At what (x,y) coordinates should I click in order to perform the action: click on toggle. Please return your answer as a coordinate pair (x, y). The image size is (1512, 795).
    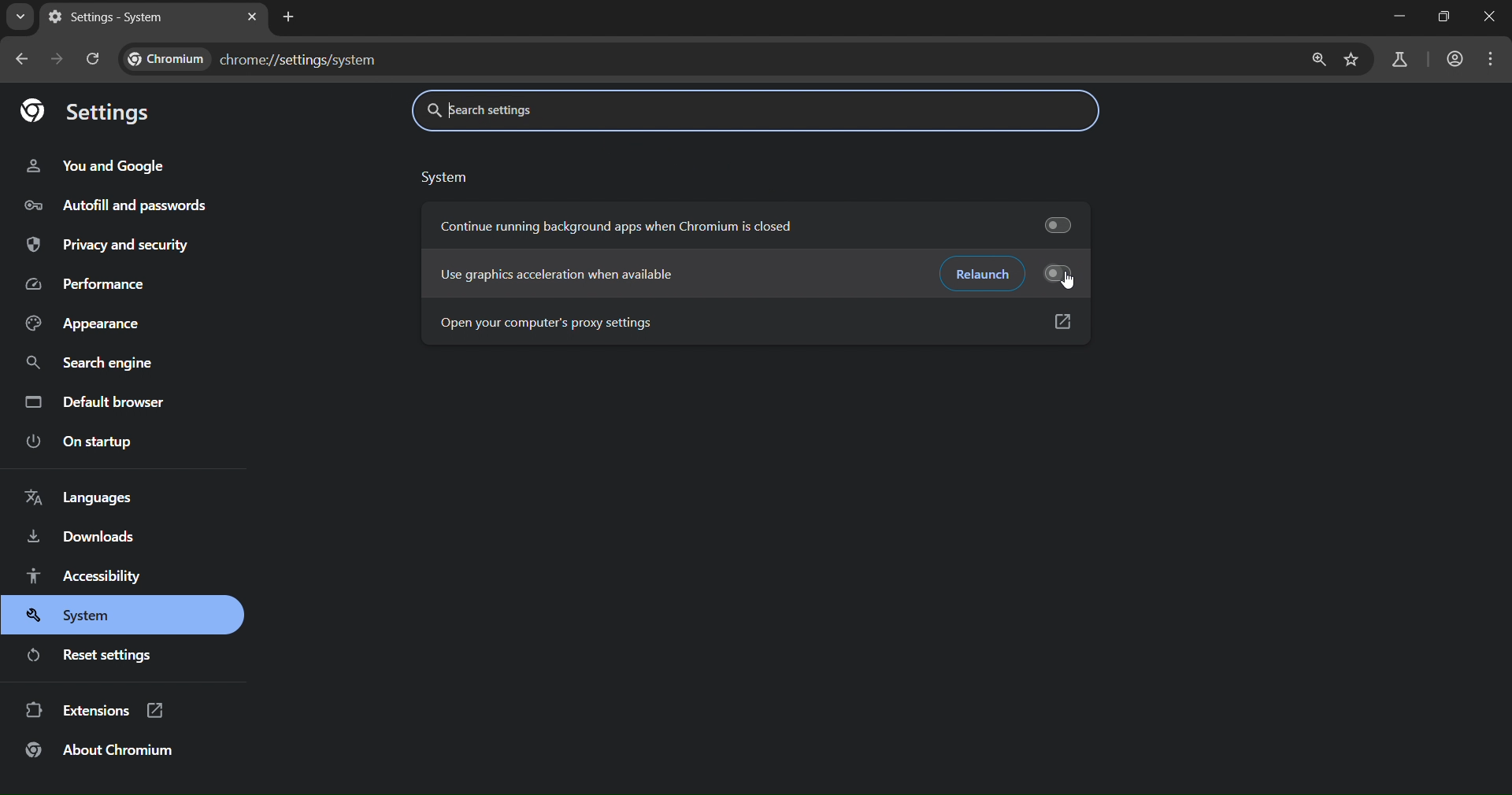
    Looking at the image, I should click on (1069, 274).